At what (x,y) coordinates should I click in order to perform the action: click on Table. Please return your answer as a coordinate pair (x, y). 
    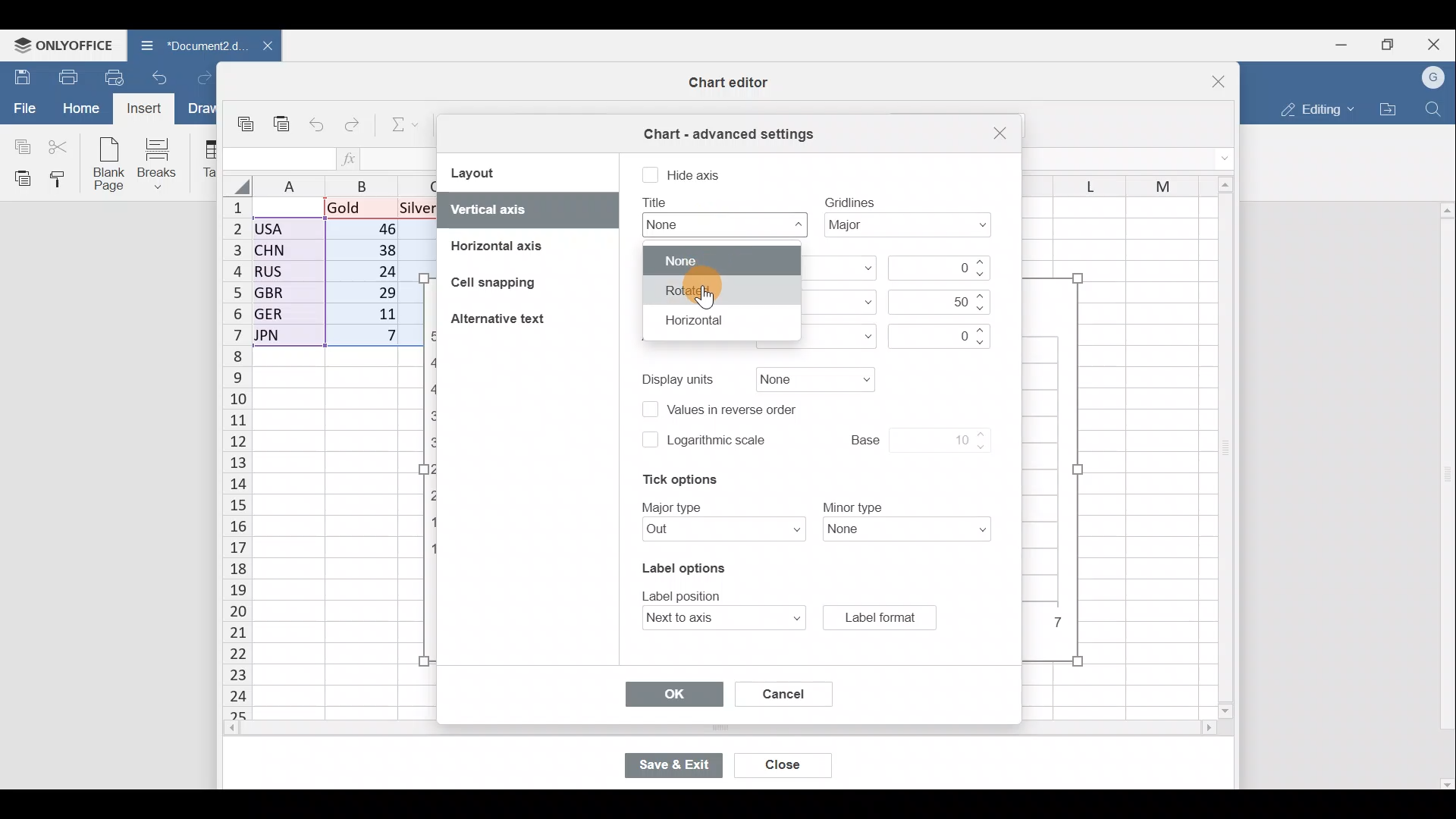
    Looking at the image, I should click on (208, 160).